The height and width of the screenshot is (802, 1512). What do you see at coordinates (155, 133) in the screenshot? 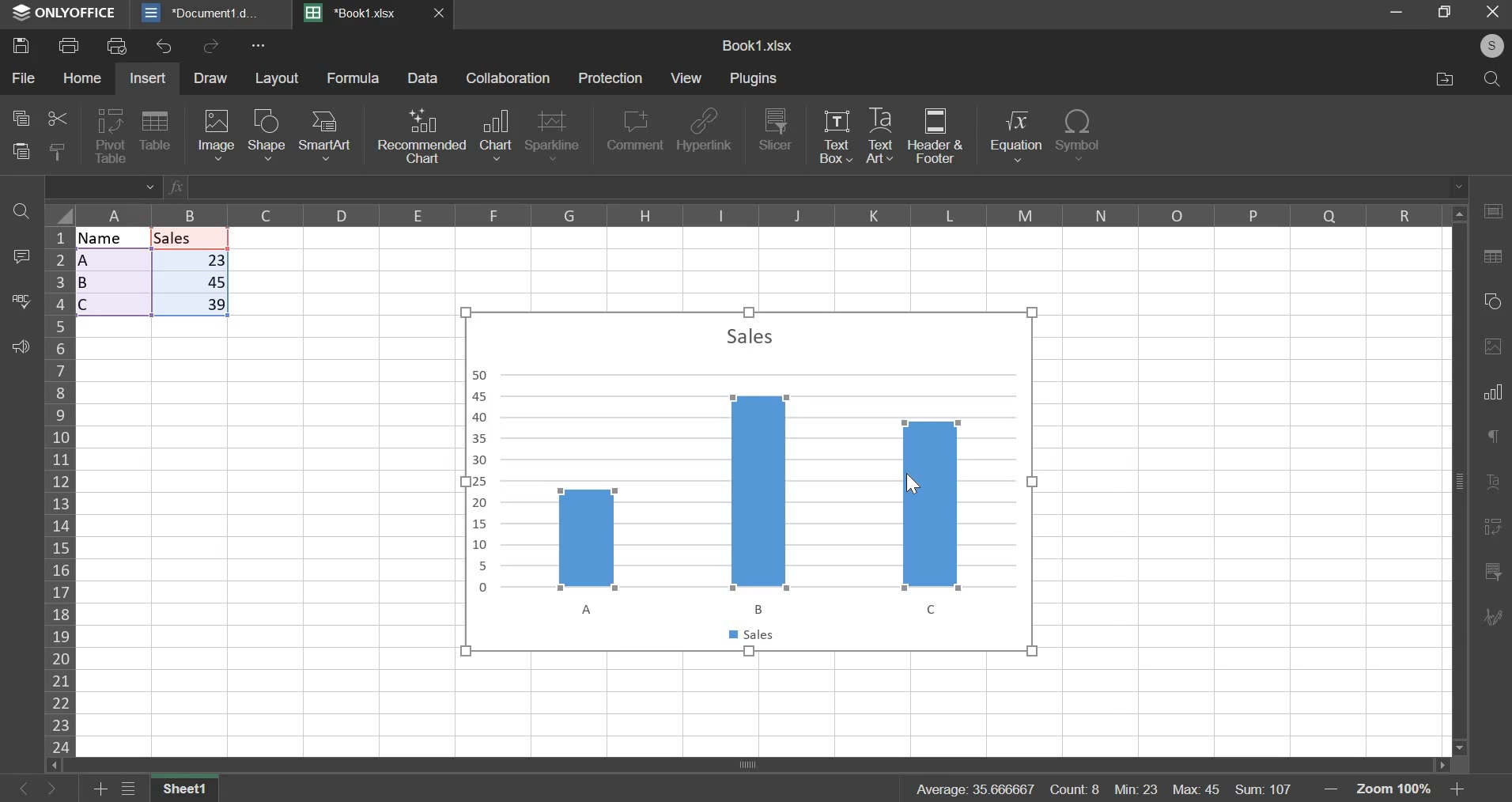
I see `table` at bounding box center [155, 133].